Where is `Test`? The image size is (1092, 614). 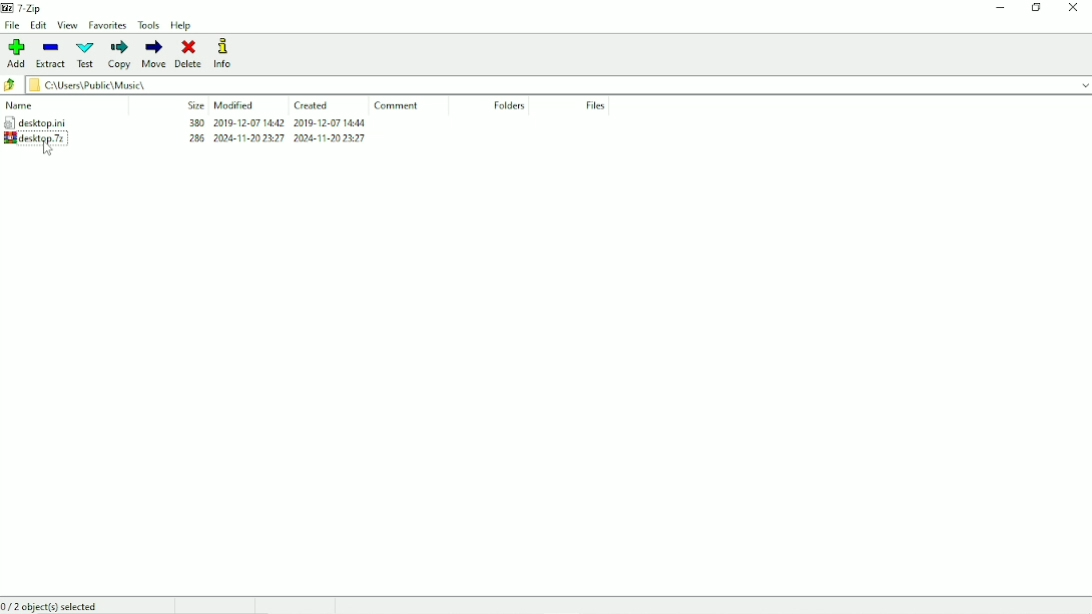 Test is located at coordinates (84, 54).